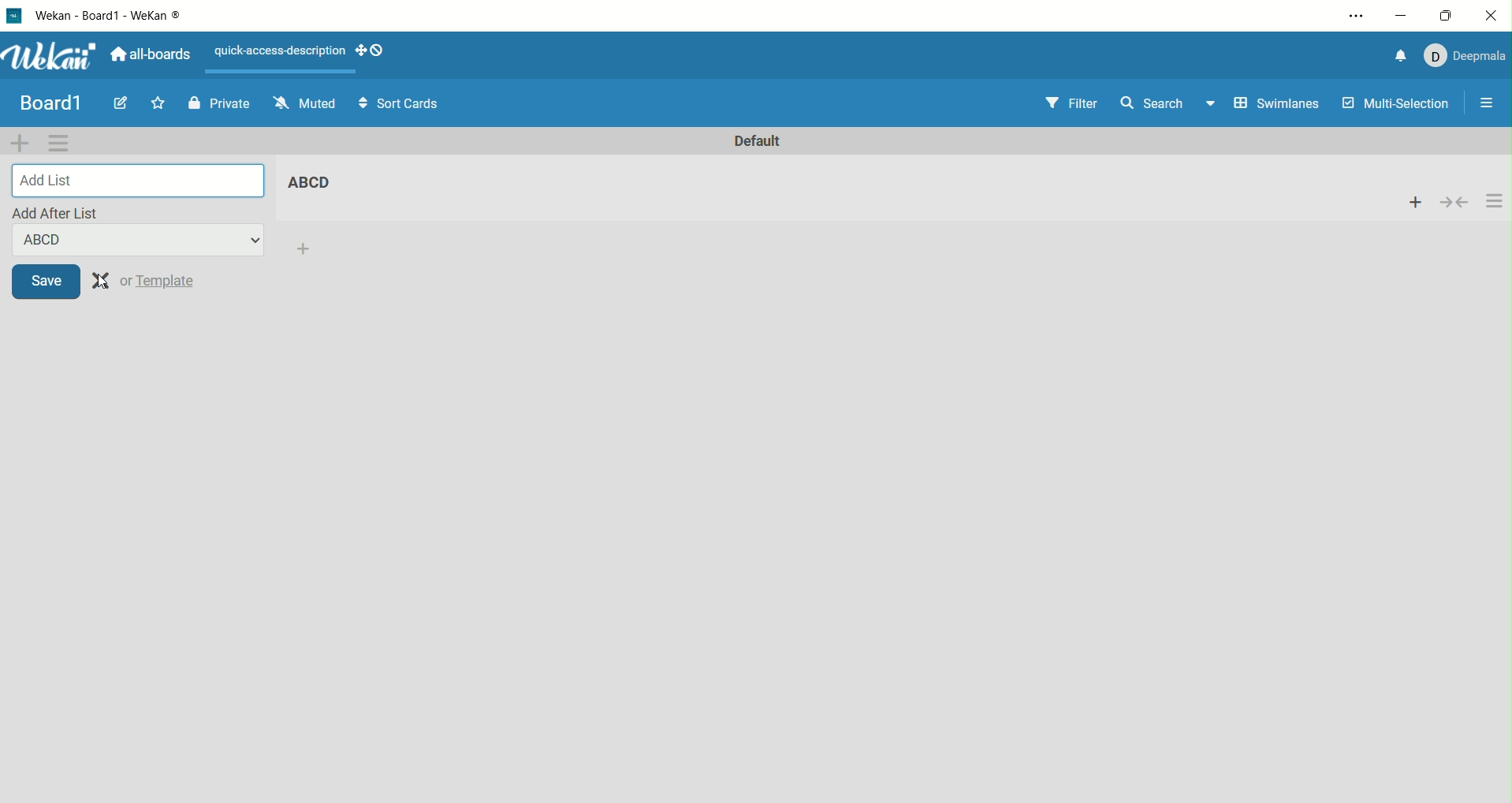 The image size is (1512, 803). I want to click on add list, so click(139, 180).